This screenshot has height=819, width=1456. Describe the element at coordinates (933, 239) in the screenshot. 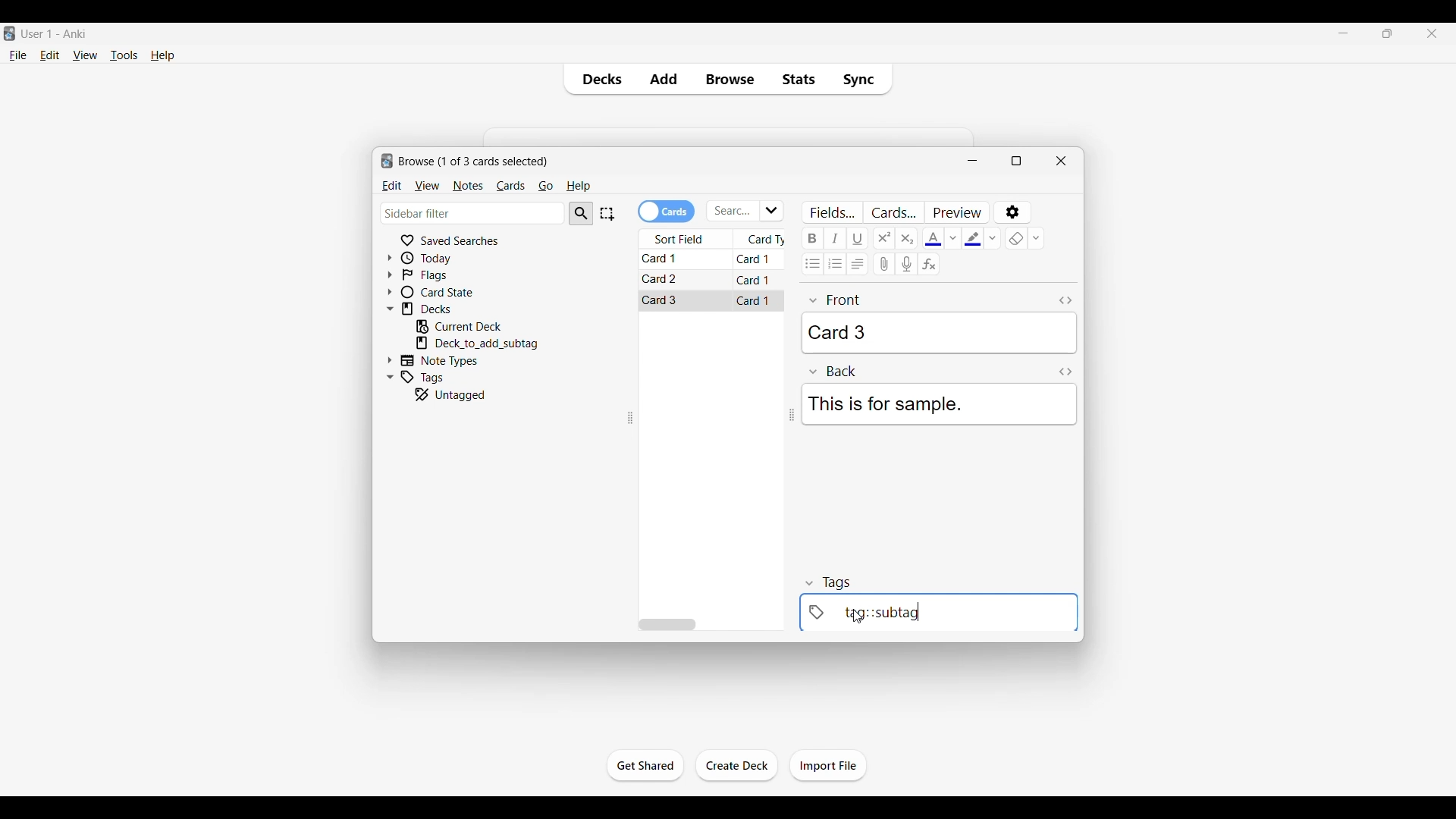

I see `Selected text color` at that location.